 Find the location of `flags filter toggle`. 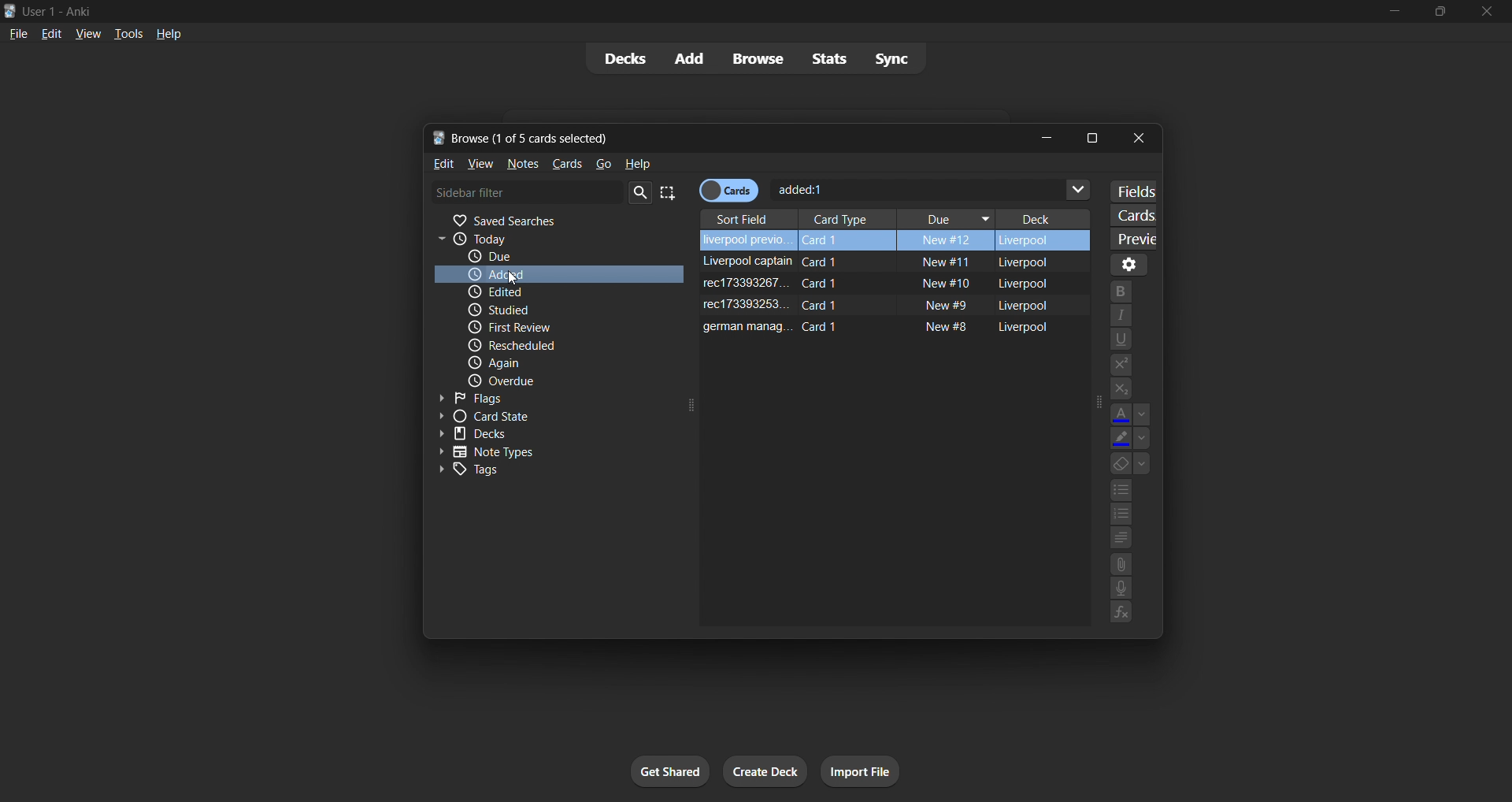

flags filter toggle is located at coordinates (545, 398).